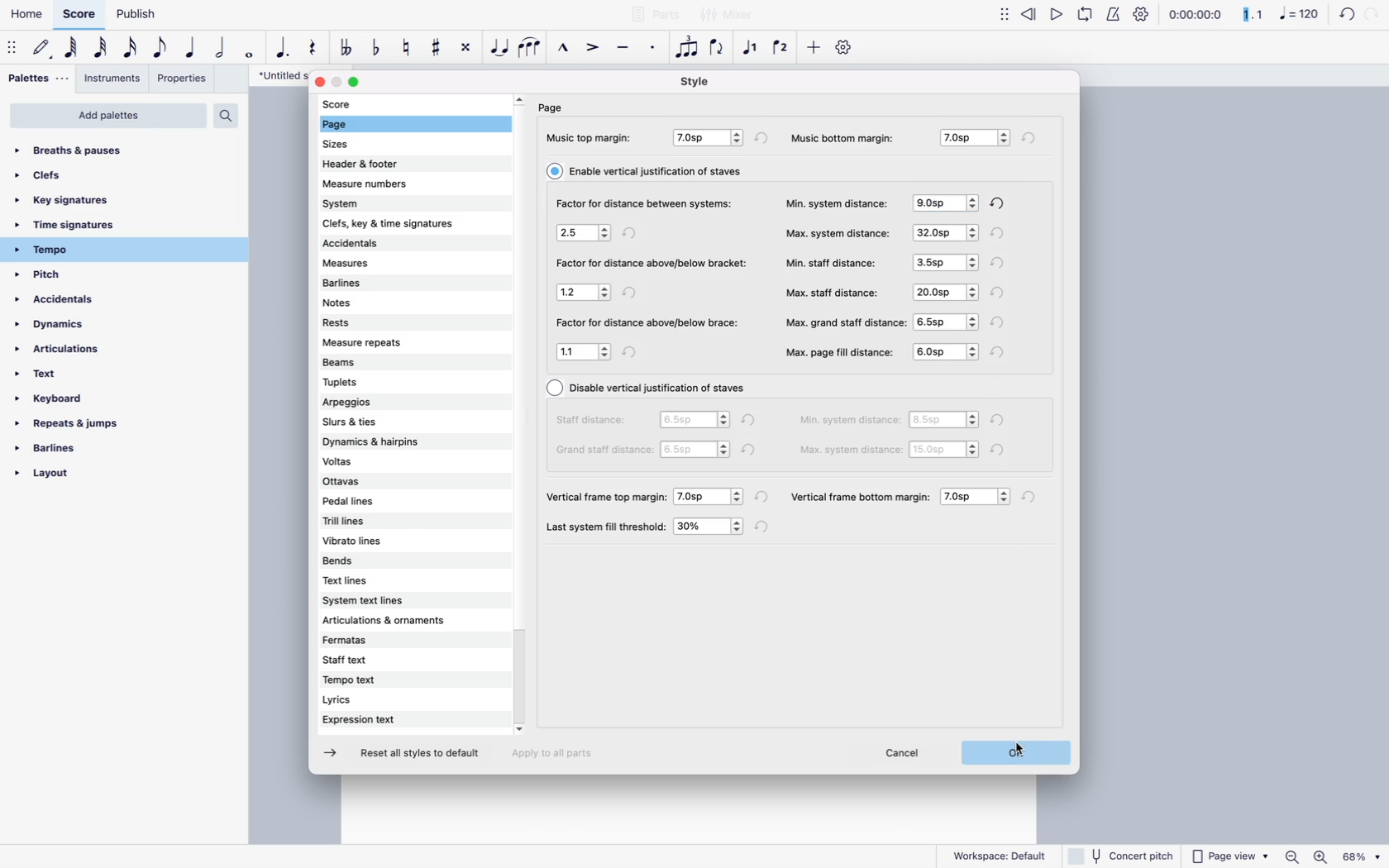 The width and height of the screenshot is (1389, 868). What do you see at coordinates (36, 79) in the screenshot?
I see `palletes` at bounding box center [36, 79].